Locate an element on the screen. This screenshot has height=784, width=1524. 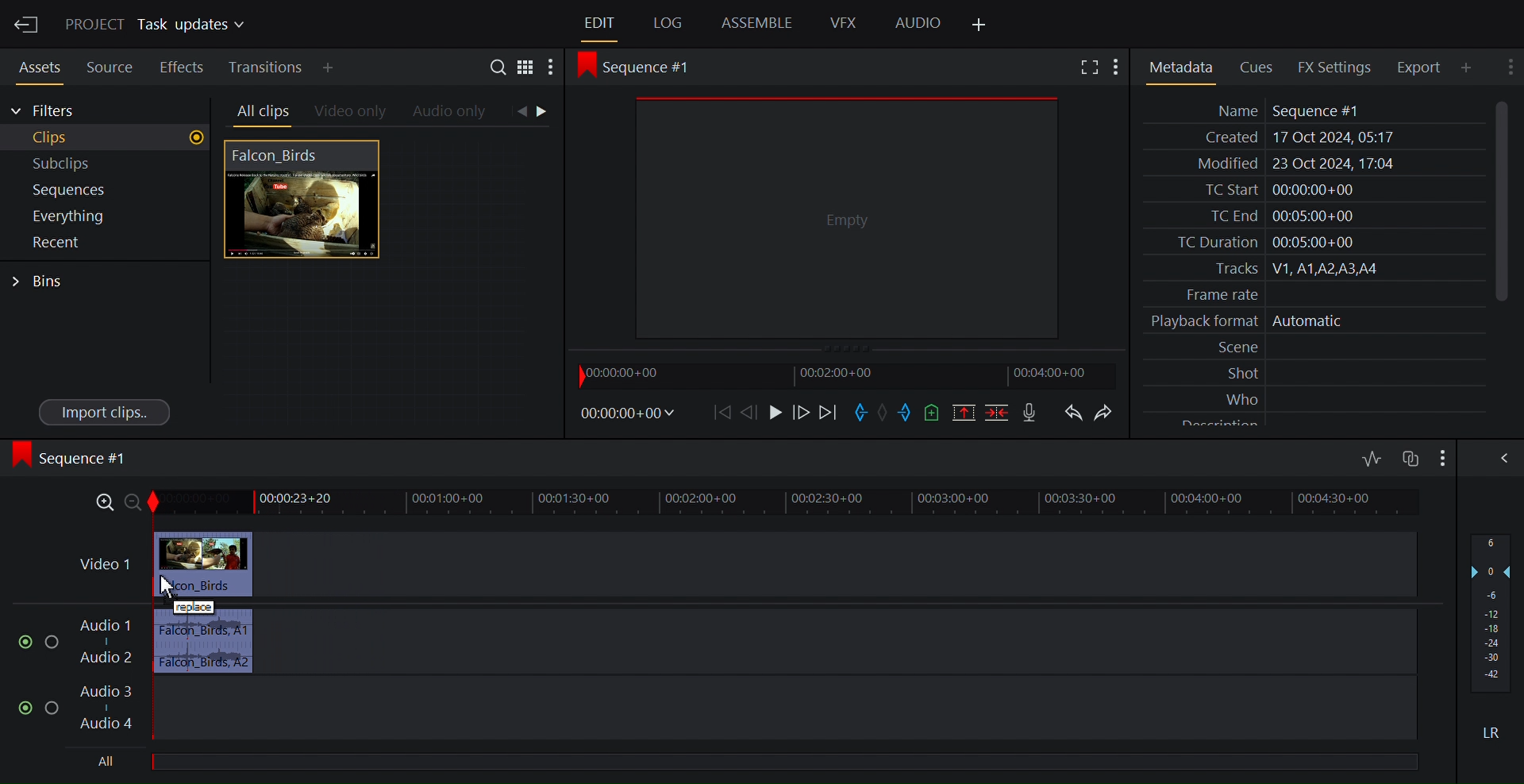
Remove the marked section is located at coordinates (963, 413).